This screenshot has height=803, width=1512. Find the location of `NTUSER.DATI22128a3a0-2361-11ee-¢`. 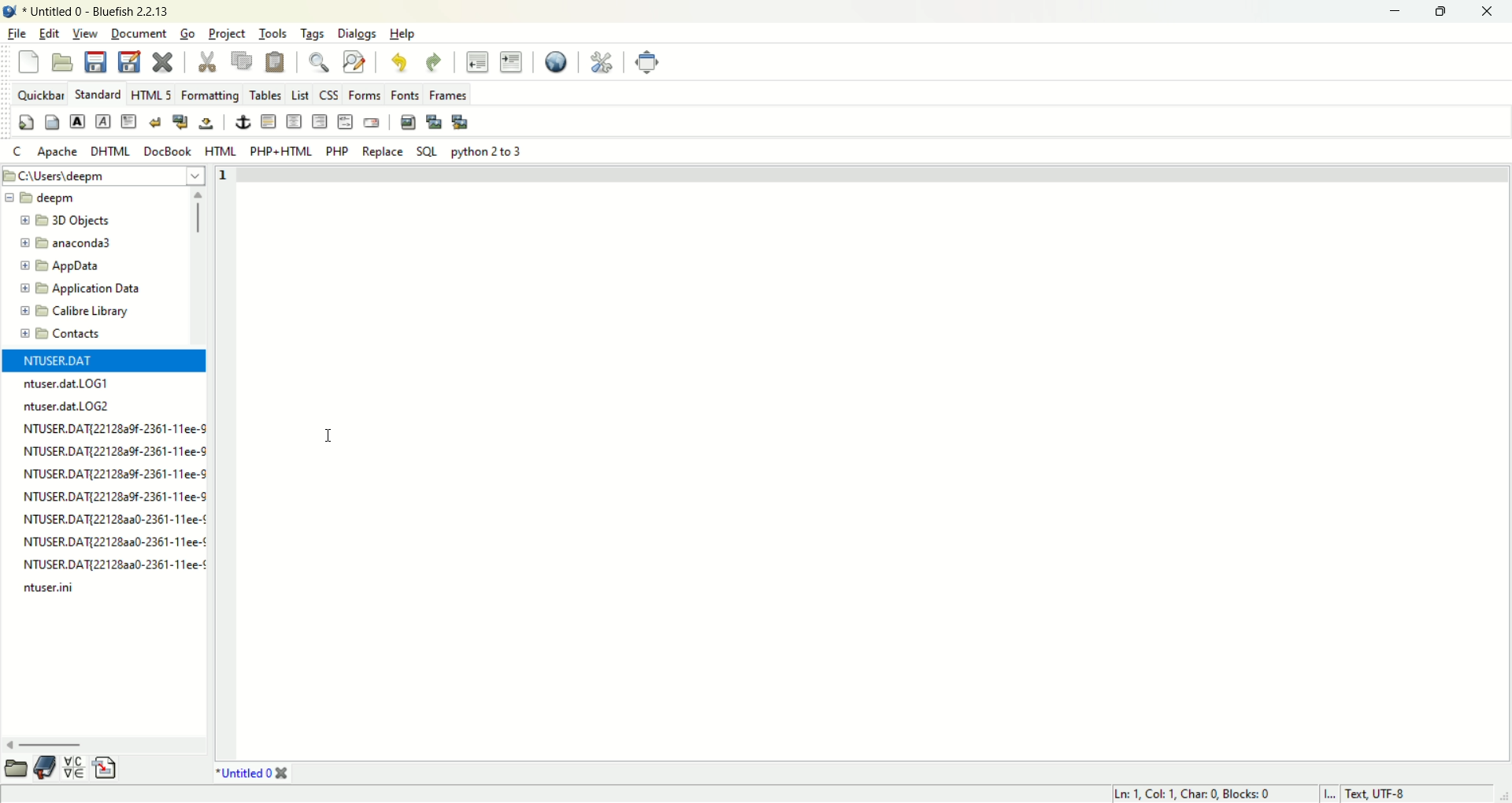

NTUSER.DATI22128a3a0-2361-11ee-¢ is located at coordinates (113, 519).